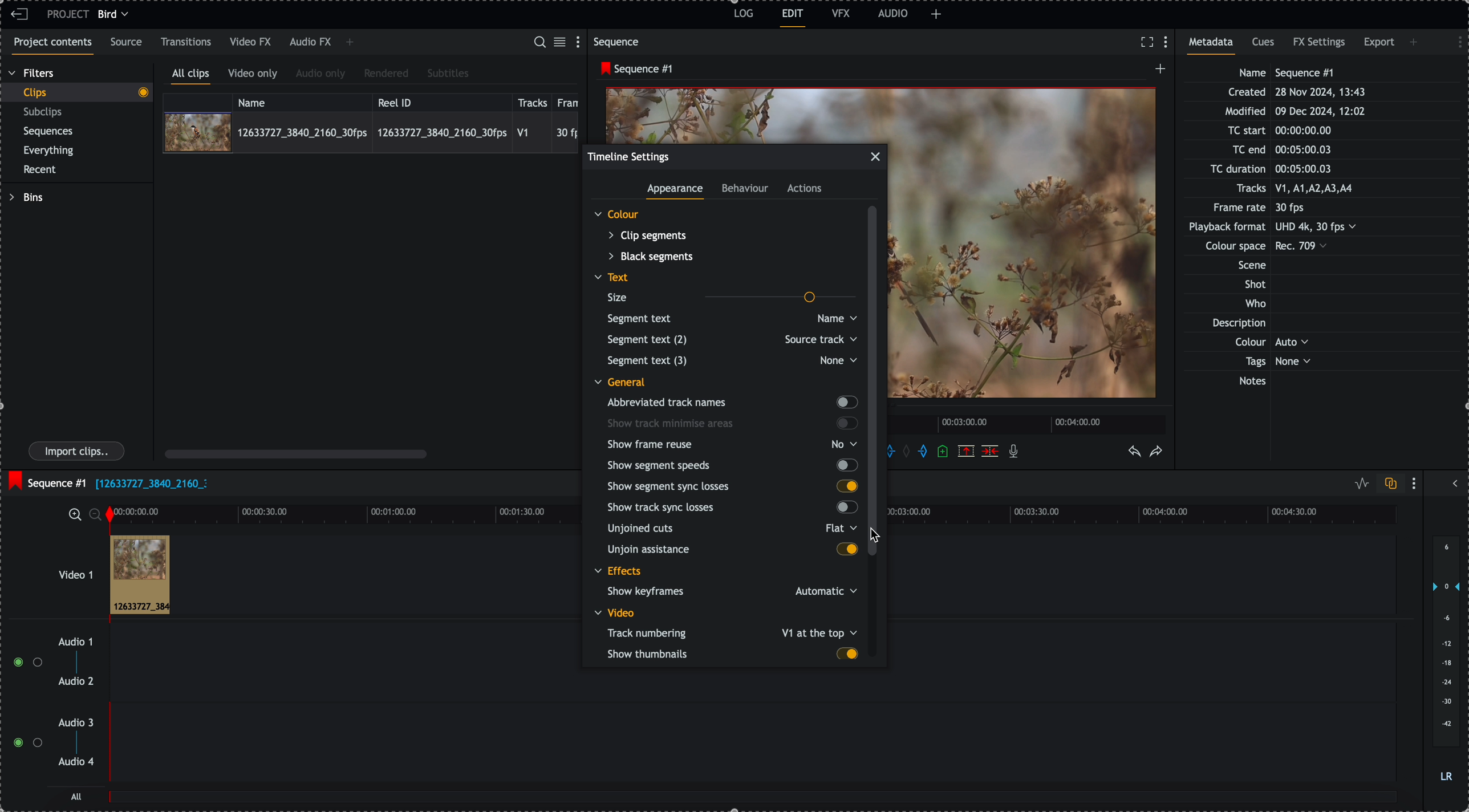  Describe the element at coordinates (570, 101) in the screenshot. I see `frame` at that location.